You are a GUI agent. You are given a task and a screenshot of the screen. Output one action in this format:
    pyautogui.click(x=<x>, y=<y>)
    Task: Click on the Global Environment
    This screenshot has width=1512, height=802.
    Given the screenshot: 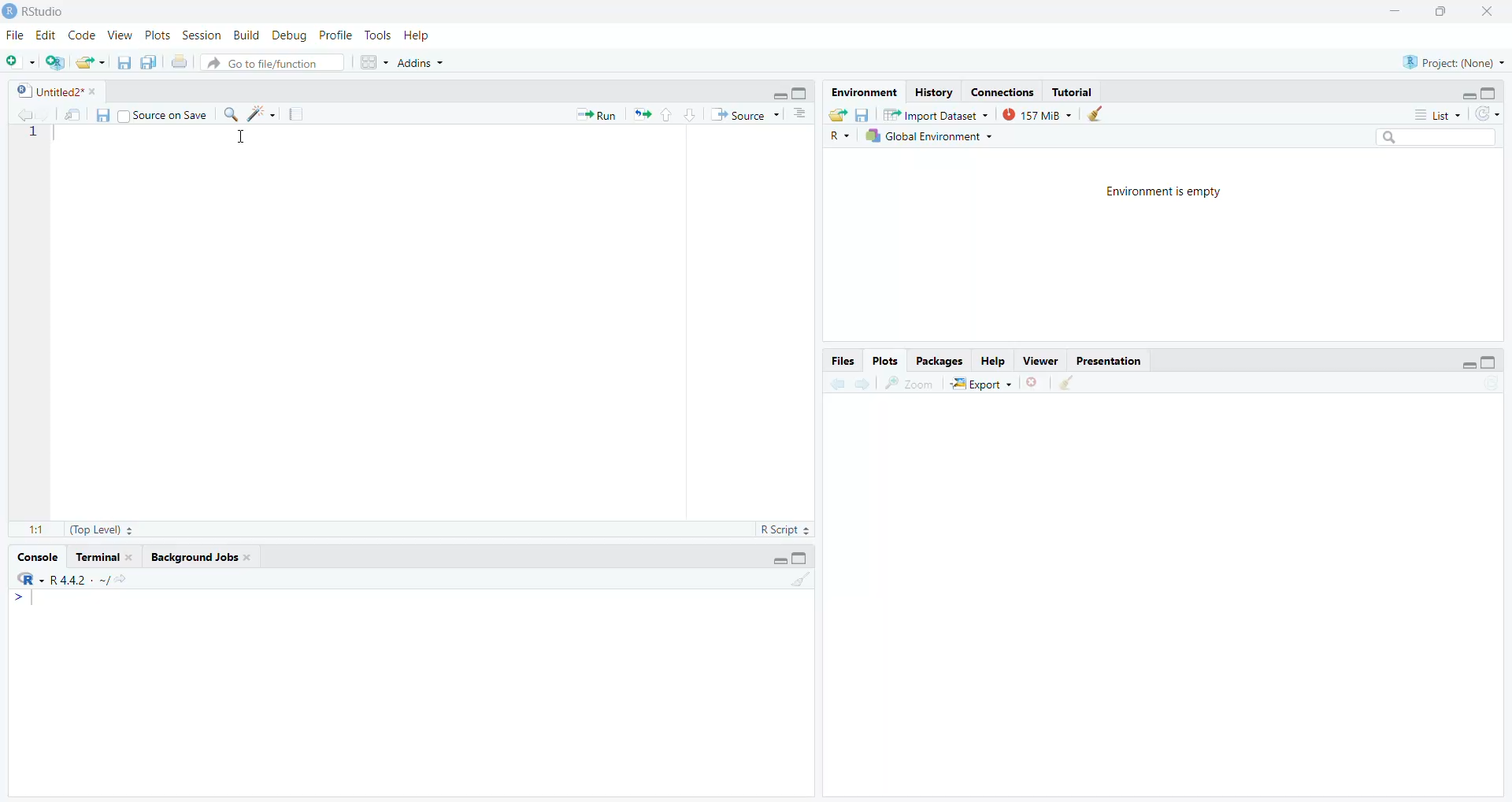 What is the action you would take?
    pyautogui.click(x=929, y=136)
    